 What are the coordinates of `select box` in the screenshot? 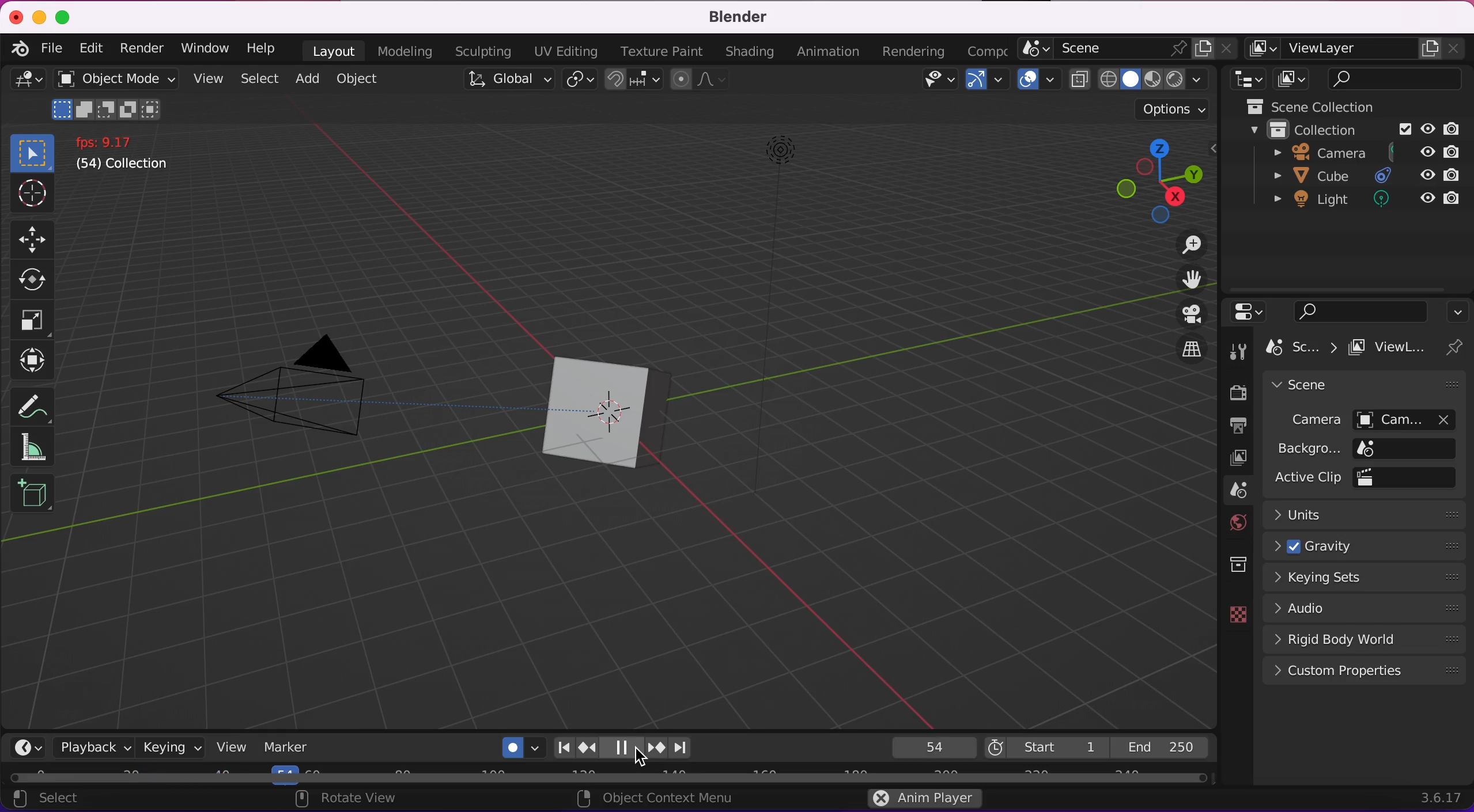 It's located at (35, 152).